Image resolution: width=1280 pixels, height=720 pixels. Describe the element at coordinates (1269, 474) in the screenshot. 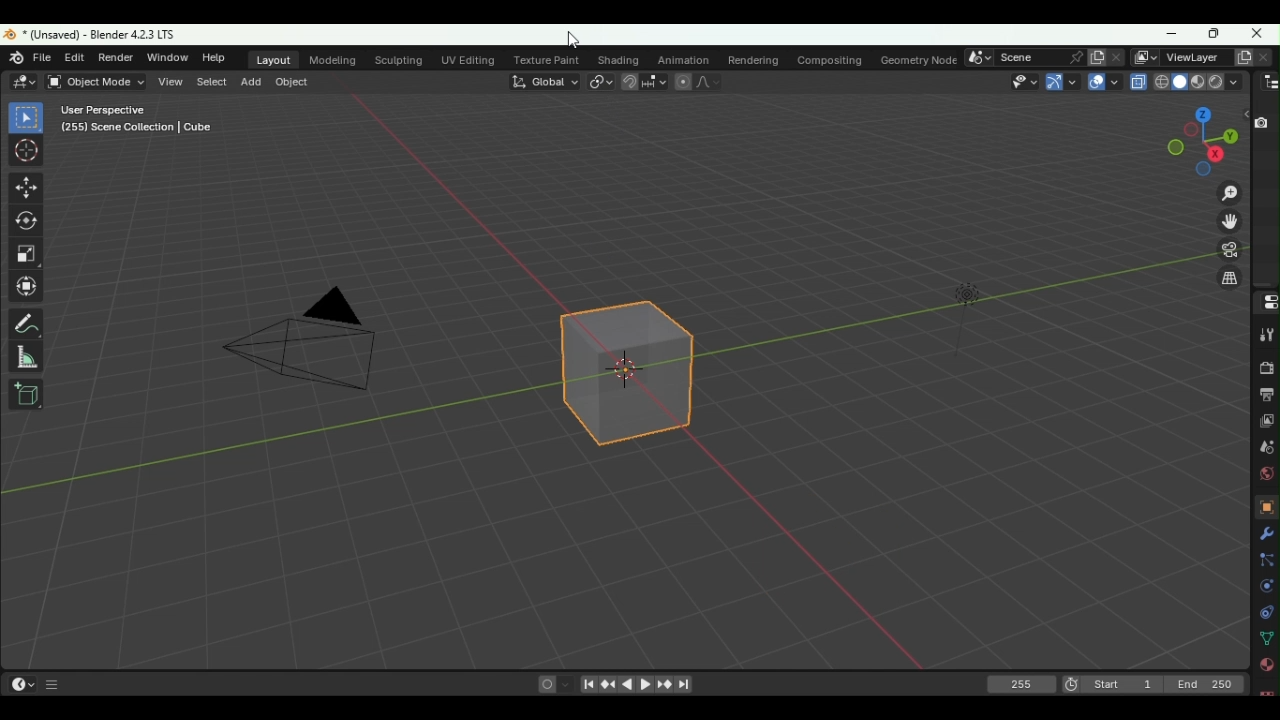

I see `World` at that location.